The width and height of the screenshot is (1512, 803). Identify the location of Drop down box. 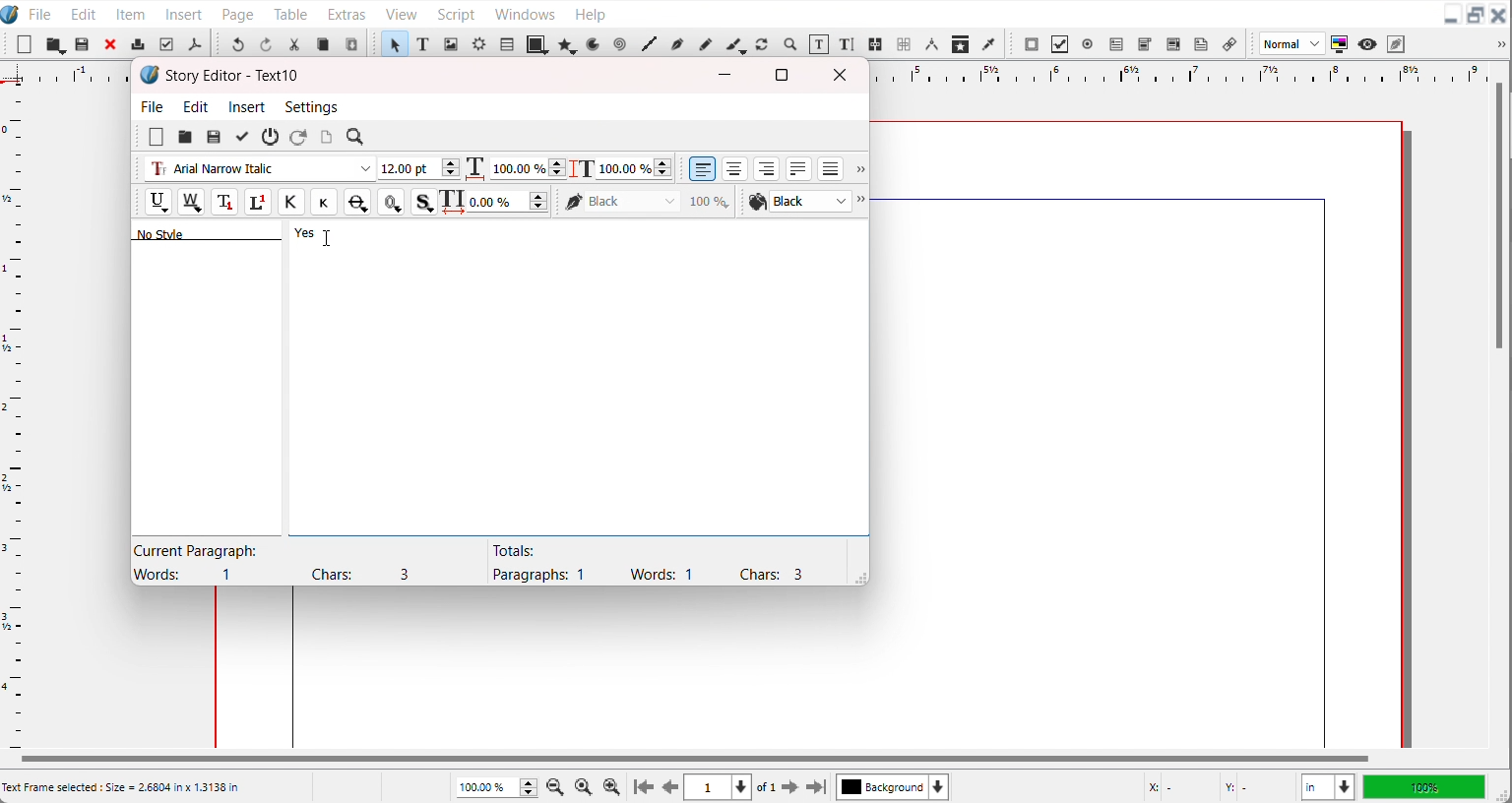
(863, 202).